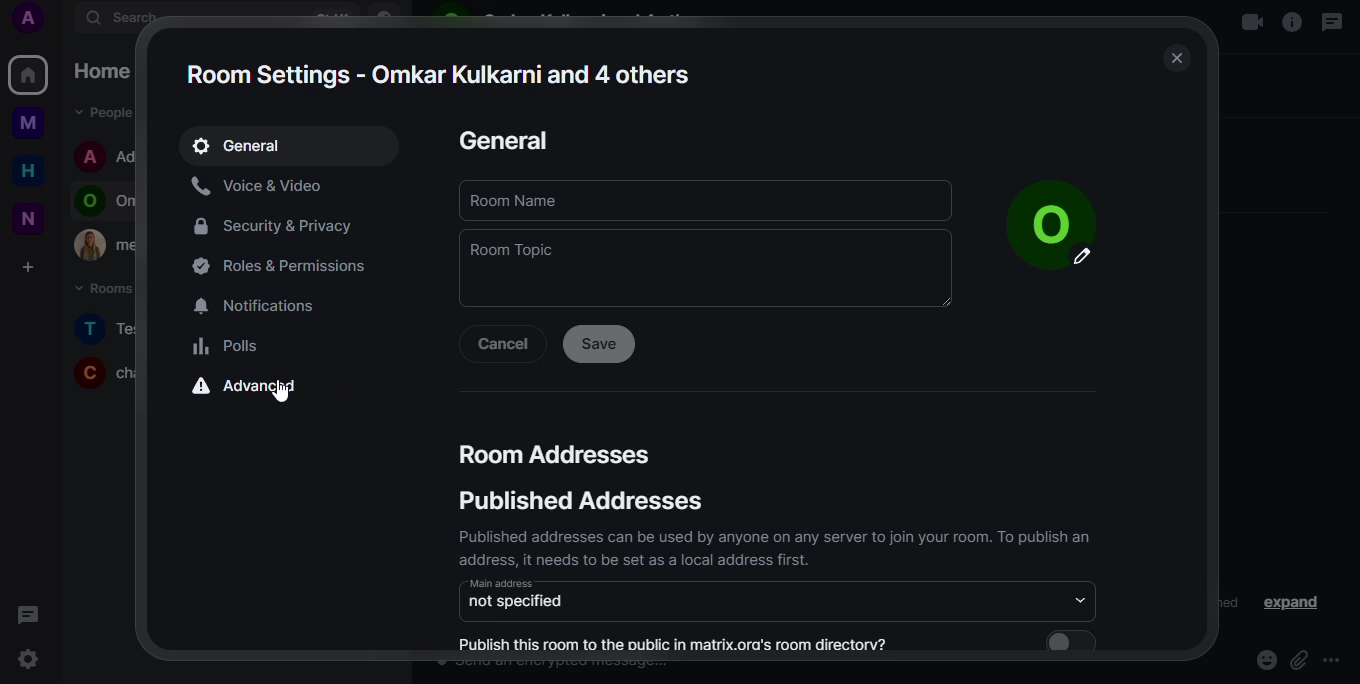 The width and height of the screenshot is (1360, 684). Describe the element at coordinates (498, 584) in the screenshot. I see `main address` at that location.